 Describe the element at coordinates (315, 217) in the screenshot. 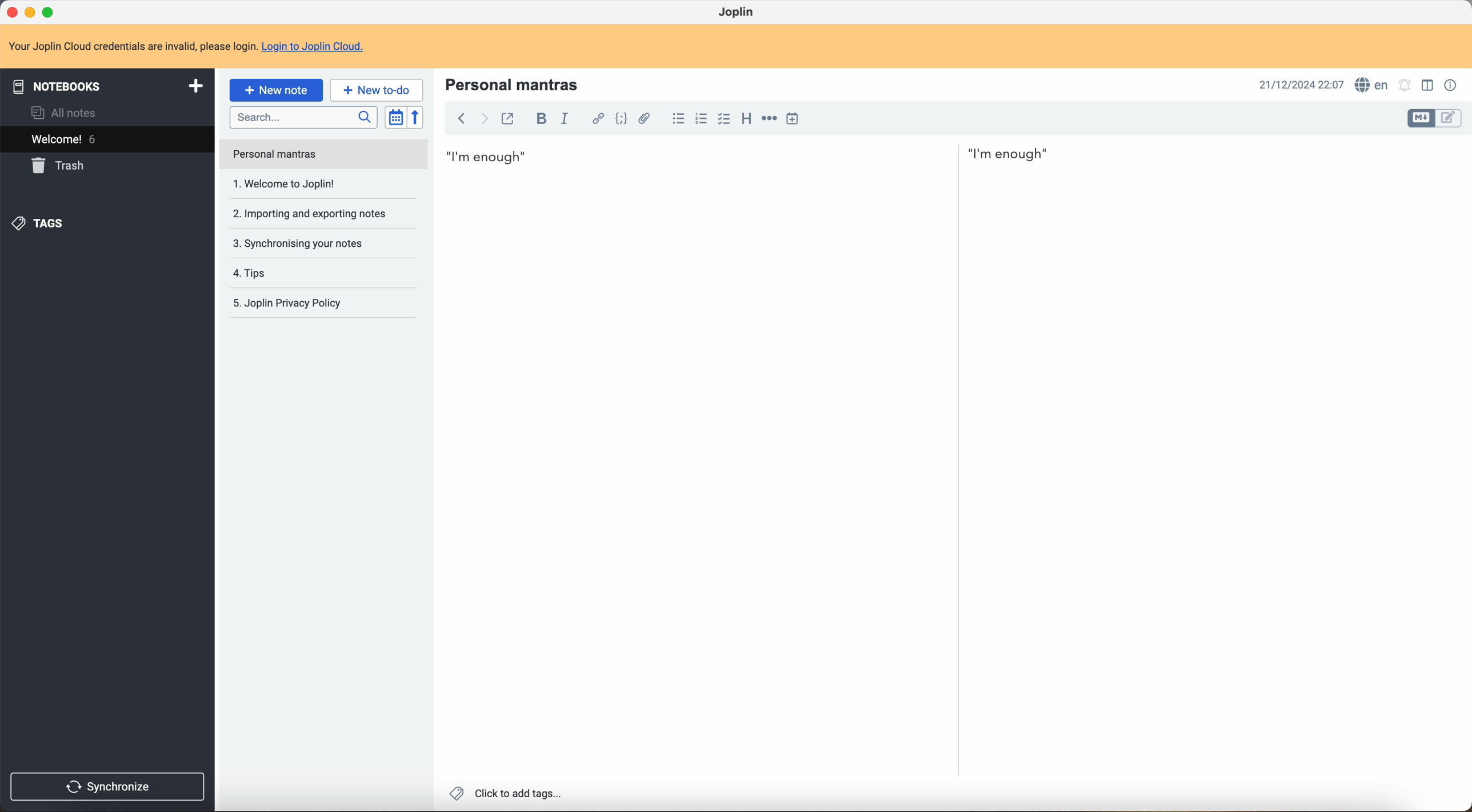

I see `synchronising your notes` at that location.